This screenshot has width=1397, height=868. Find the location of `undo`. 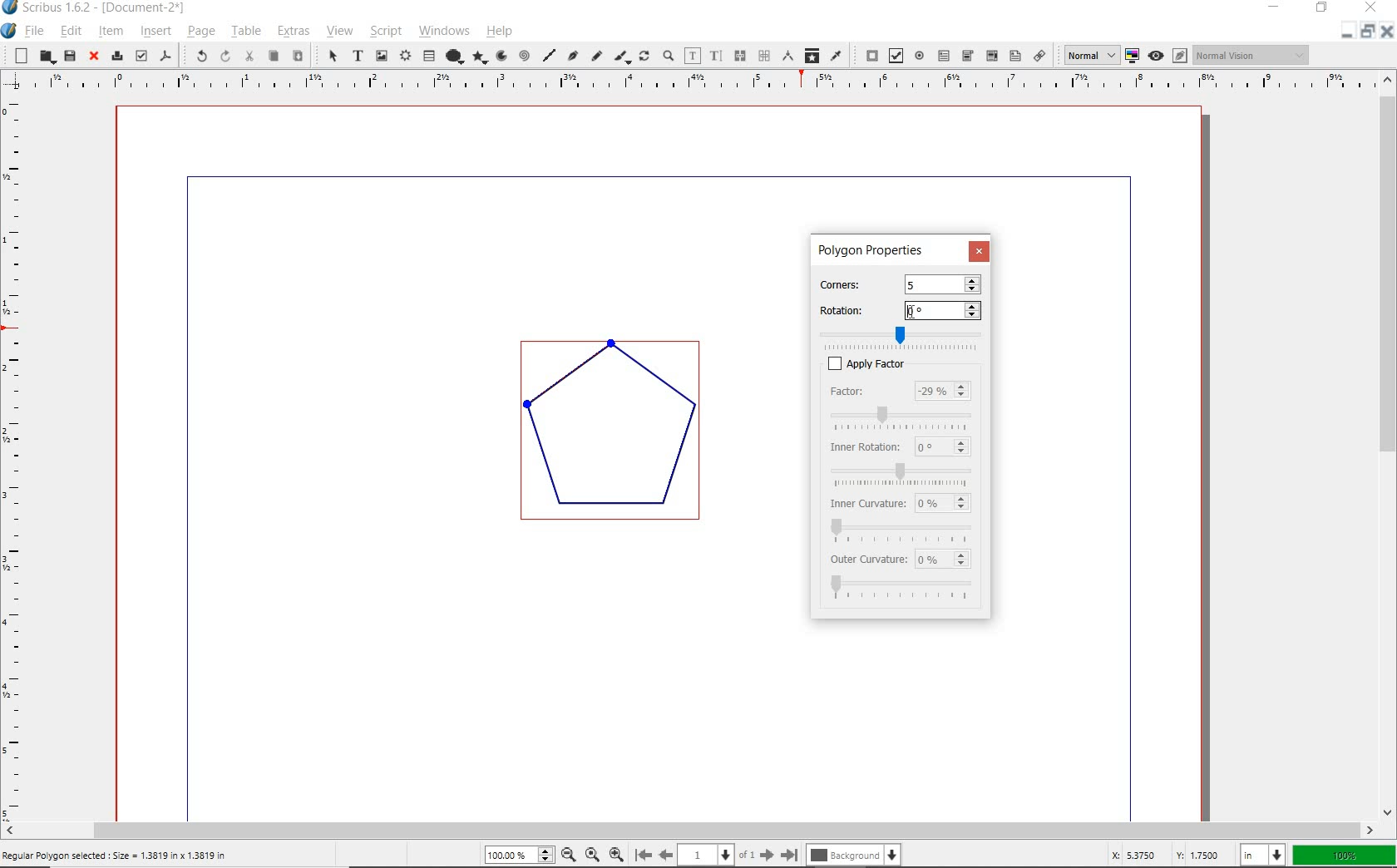

undo is located at coordinates (195, 56).